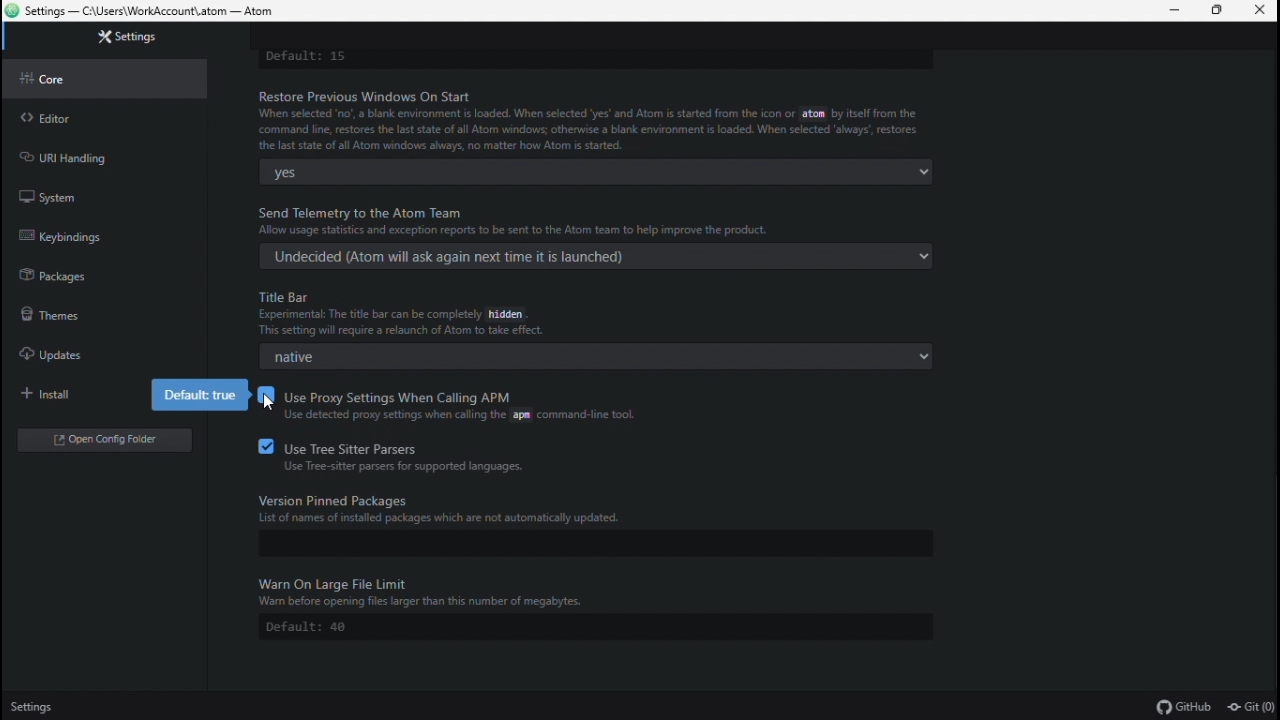  Describe the element at coordinates (581, 627) in the screenshot. I see `default` at that location.